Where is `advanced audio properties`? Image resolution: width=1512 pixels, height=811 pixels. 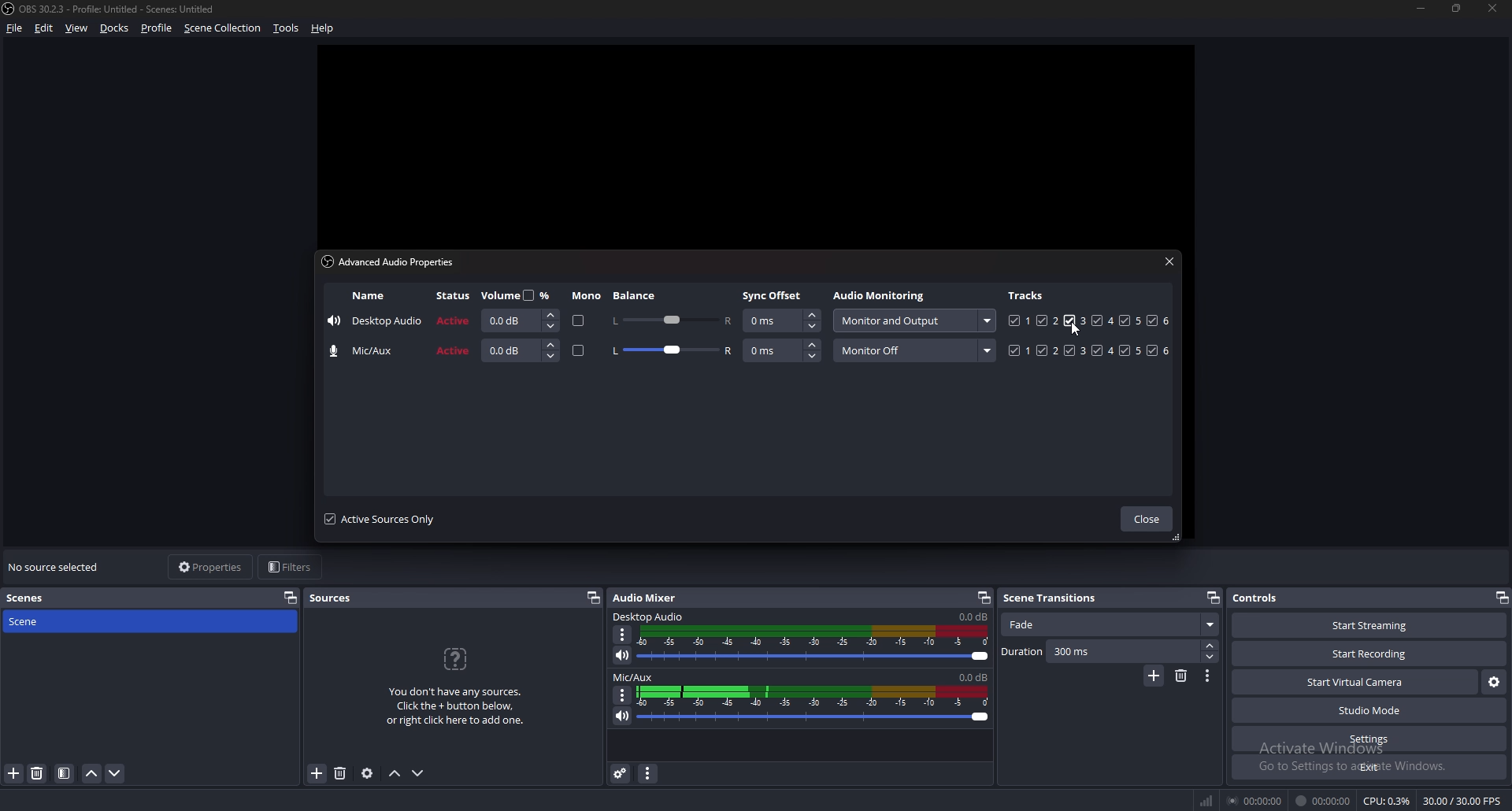
advanced audio properties is located at coordinates (393, 261).